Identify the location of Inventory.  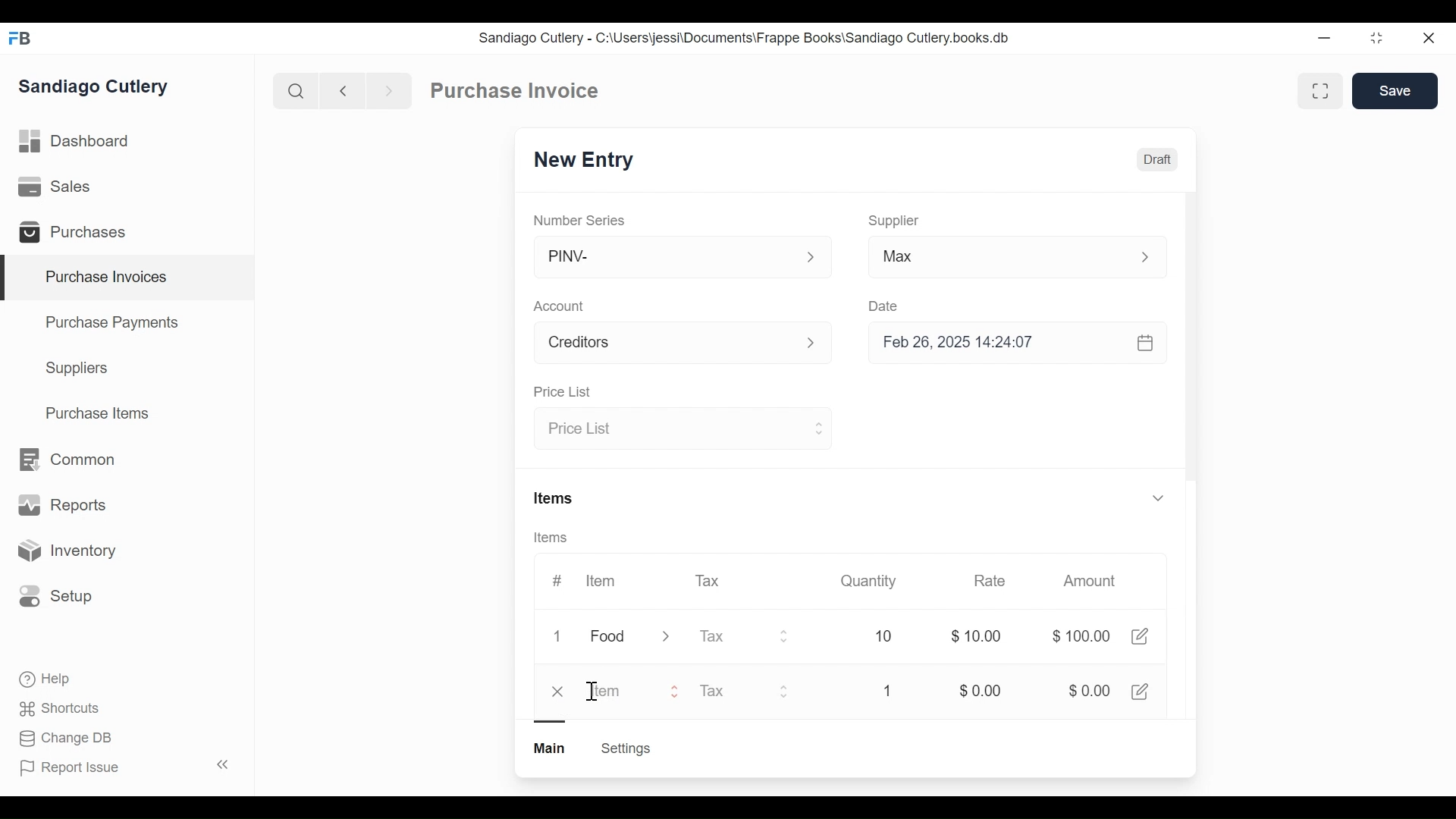
(65, 551).